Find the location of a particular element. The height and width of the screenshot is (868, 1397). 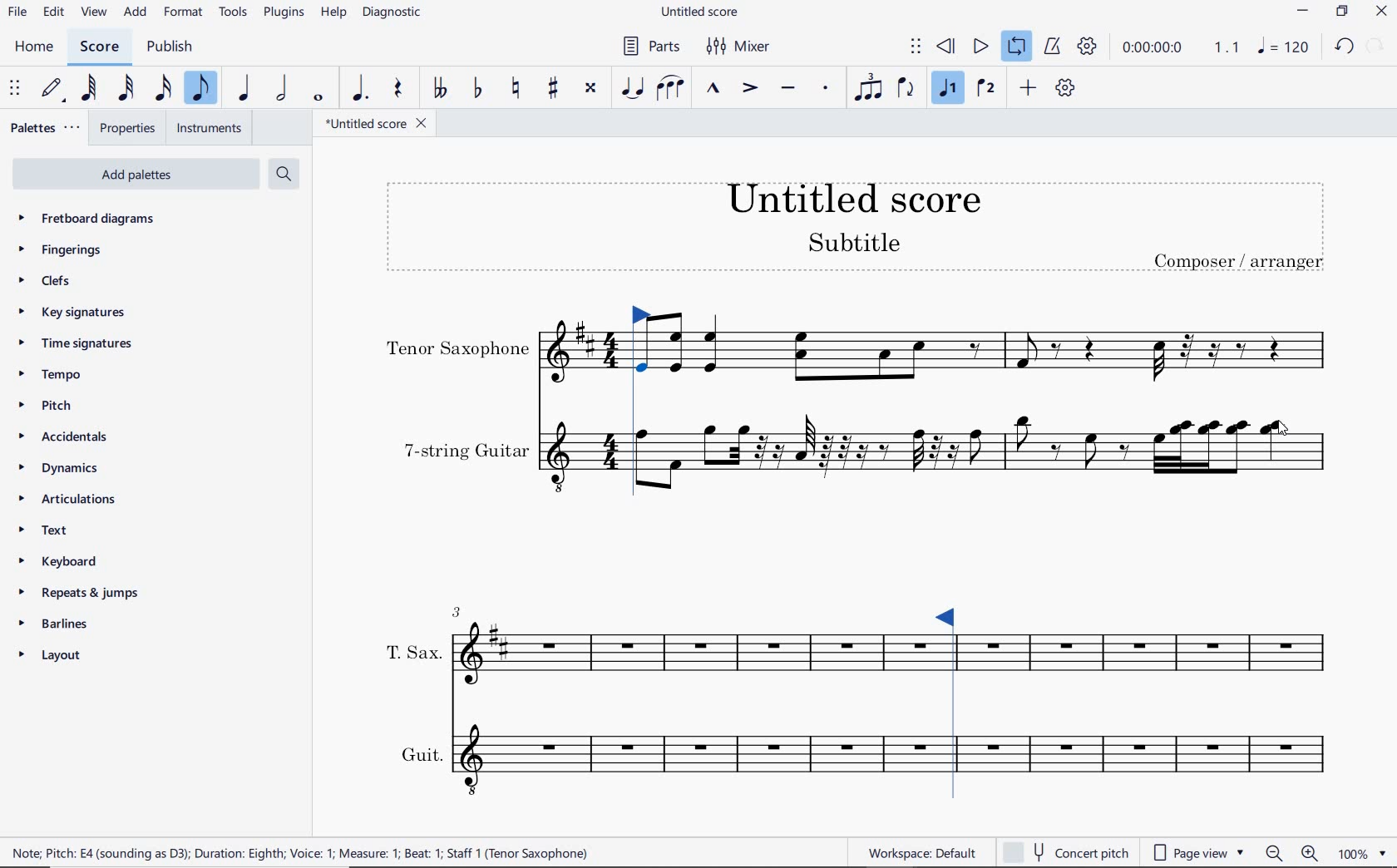

PLUGINS is located at coordinates (283, 13).